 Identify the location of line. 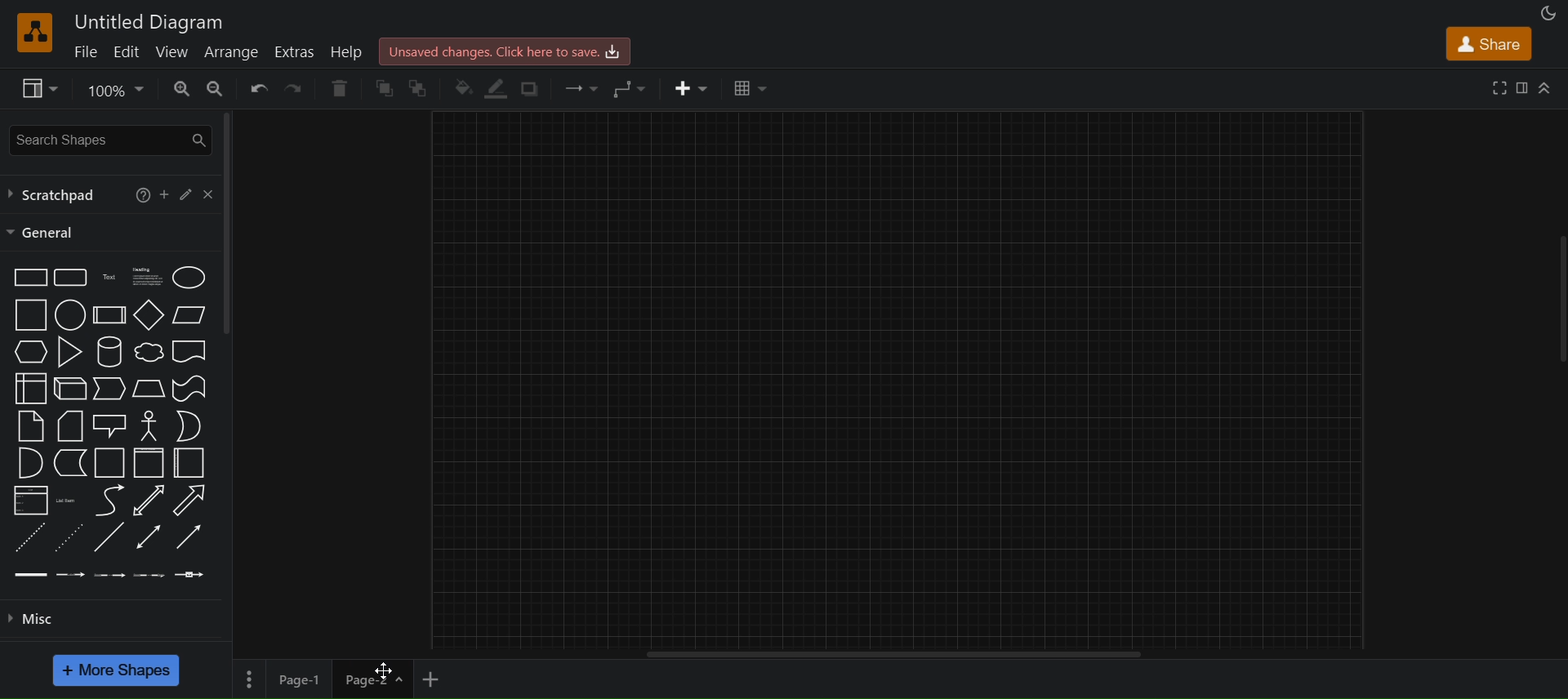
(107, 537).